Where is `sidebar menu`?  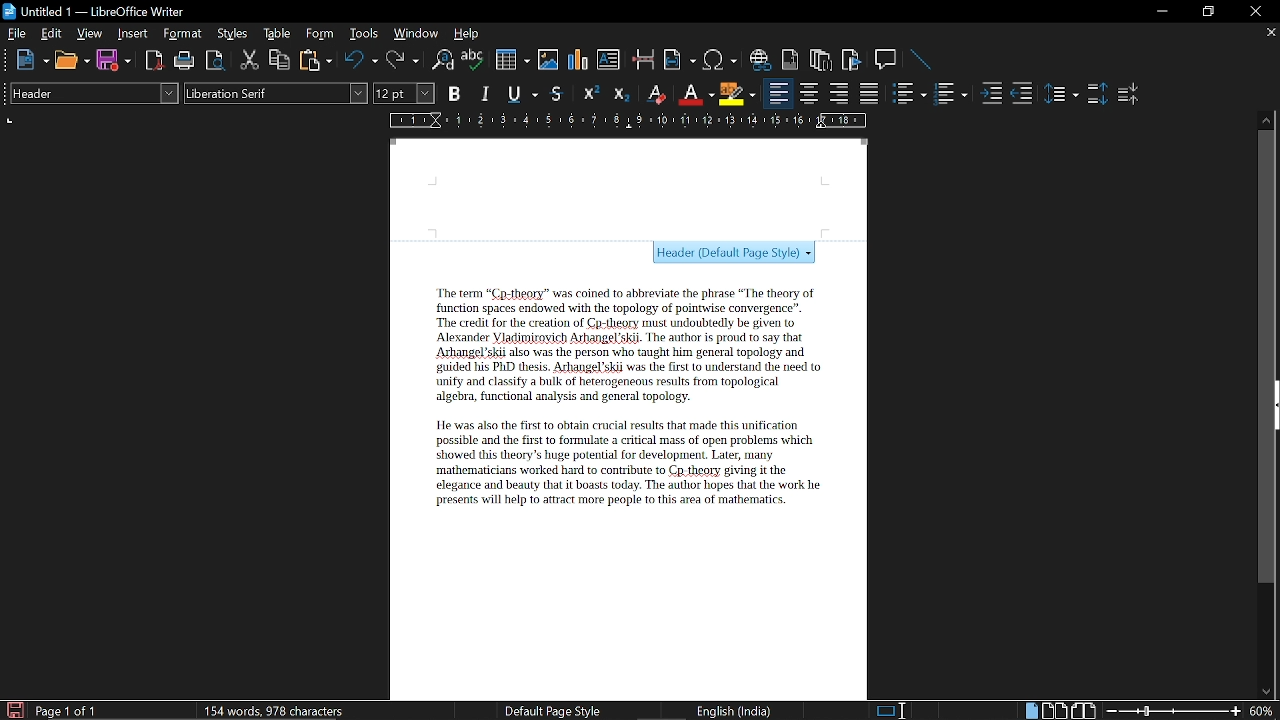
sidebar menu is located at coordinates (1276, 405).